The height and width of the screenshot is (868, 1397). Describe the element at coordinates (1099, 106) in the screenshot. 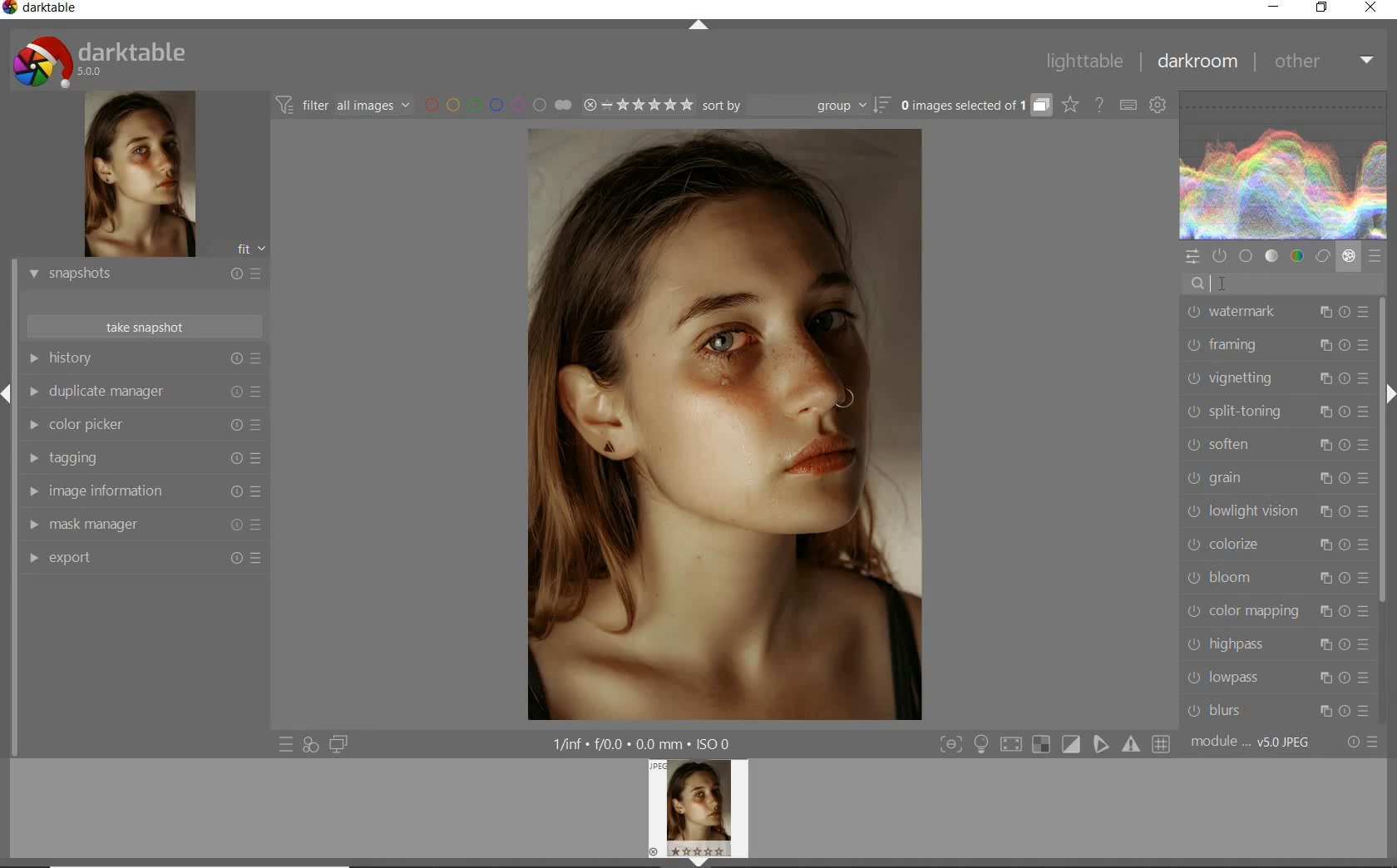

I see `enable online help` at that location.